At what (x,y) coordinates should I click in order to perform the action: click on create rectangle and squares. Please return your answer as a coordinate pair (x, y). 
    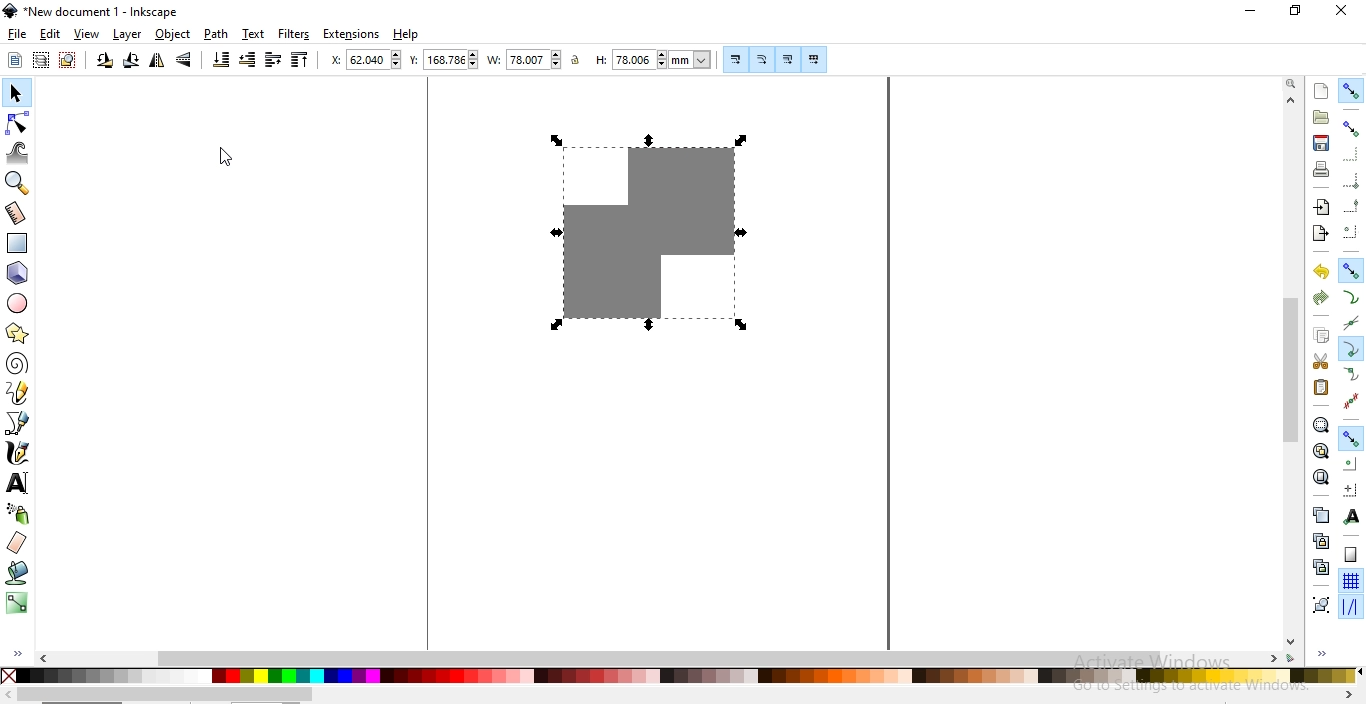
    Looking at the image, I should click on (18, 243).